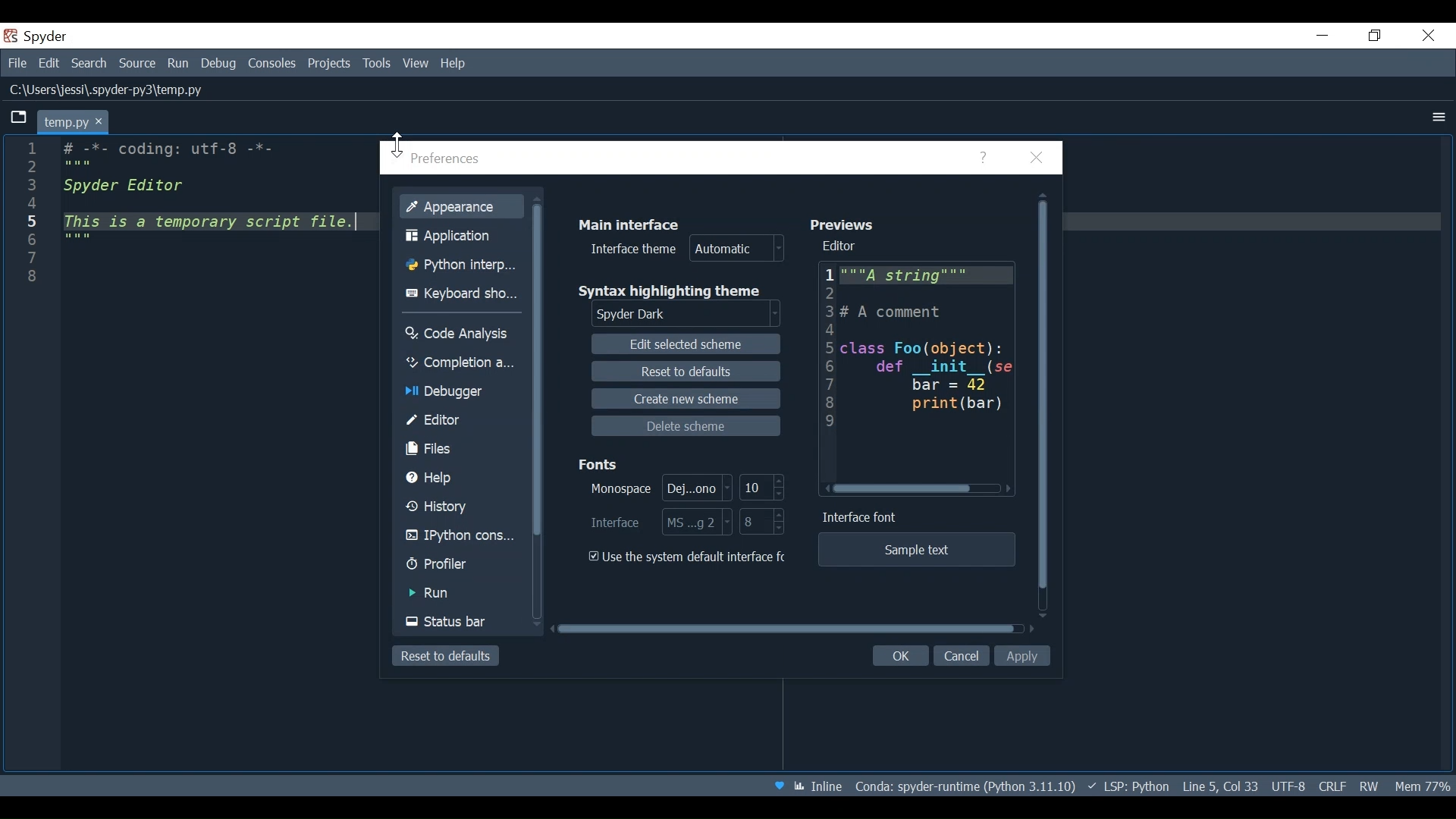 The image size is (1456, 819). What do you see at coordinates (1320, 35) in the screenshot?
I see `Minimize` at bounding box center [1320, 35].